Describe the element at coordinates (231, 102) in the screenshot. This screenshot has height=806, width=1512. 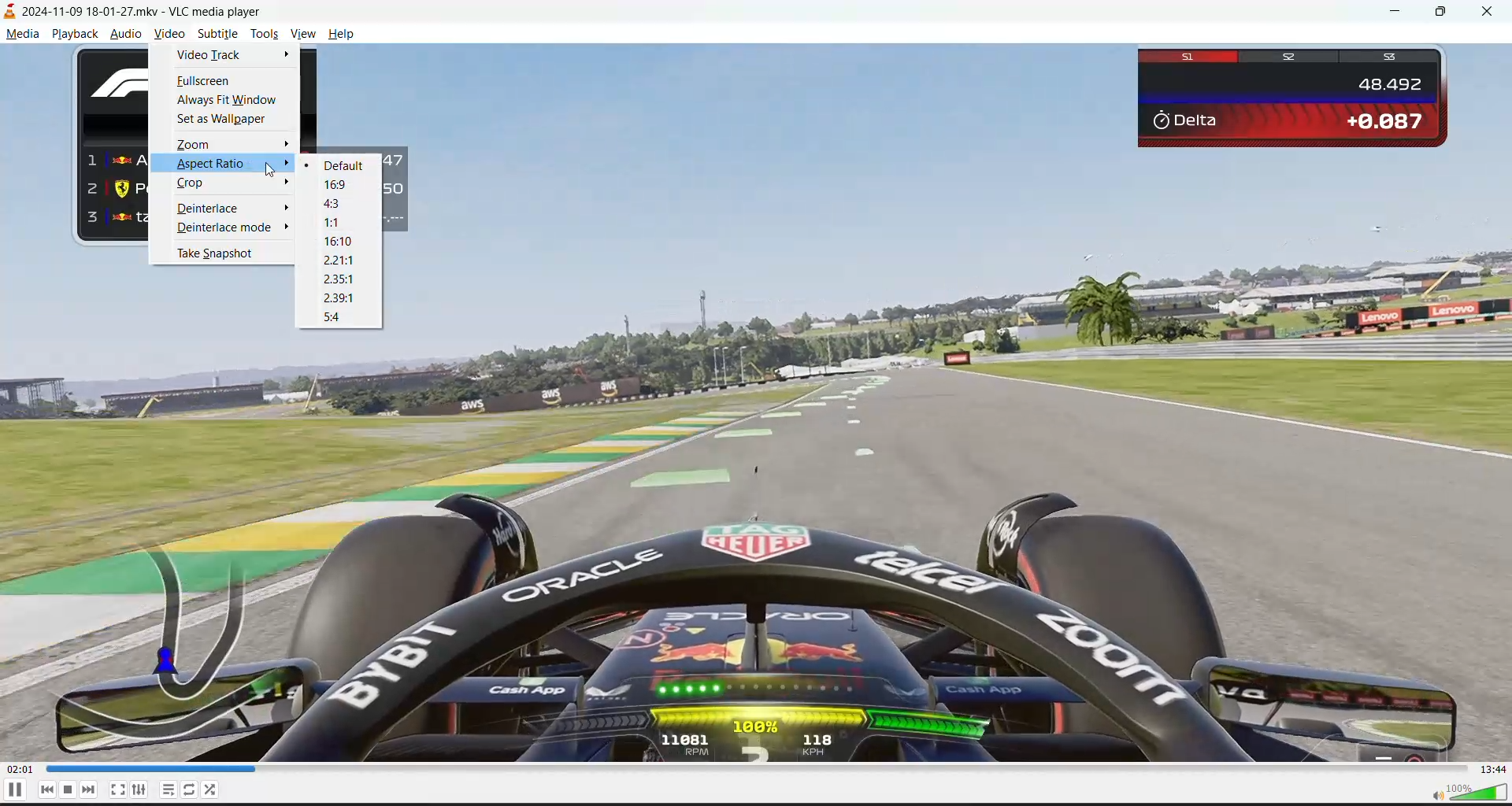
I see `always fit window` at that location.